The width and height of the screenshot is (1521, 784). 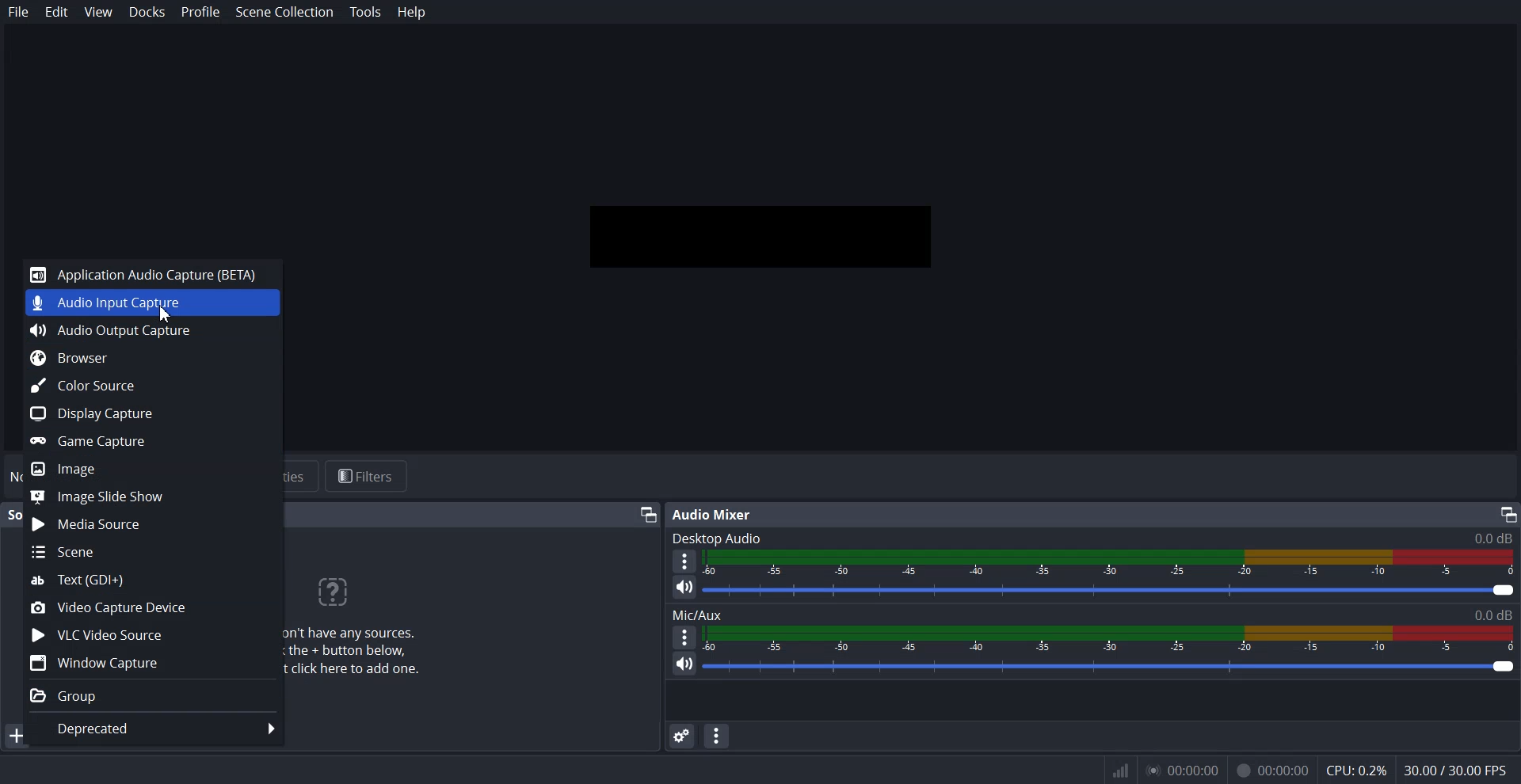 I want to click on Help, so click(x=411, y=12).